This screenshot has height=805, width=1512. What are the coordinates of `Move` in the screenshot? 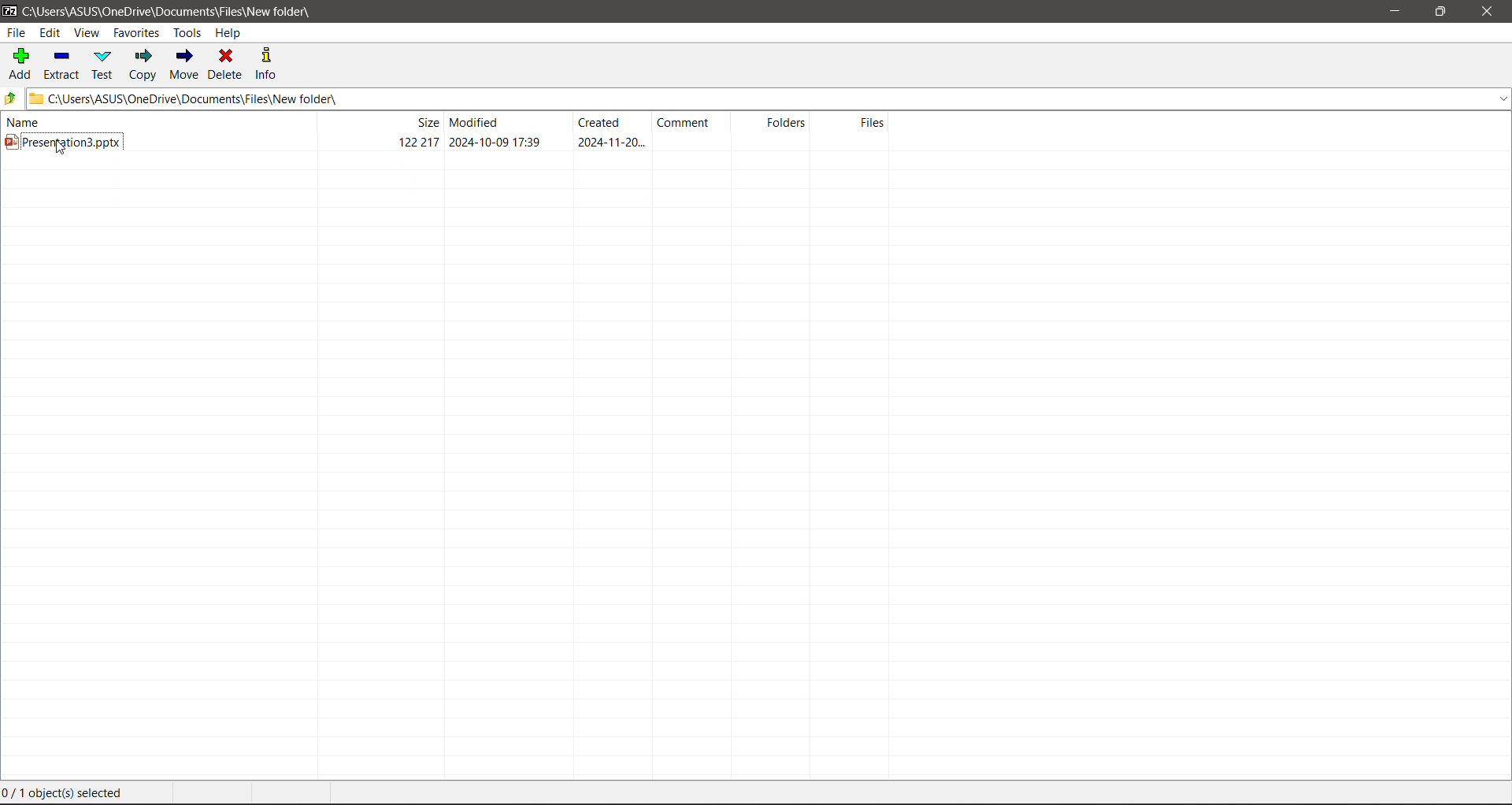 It's located at (184, 62).